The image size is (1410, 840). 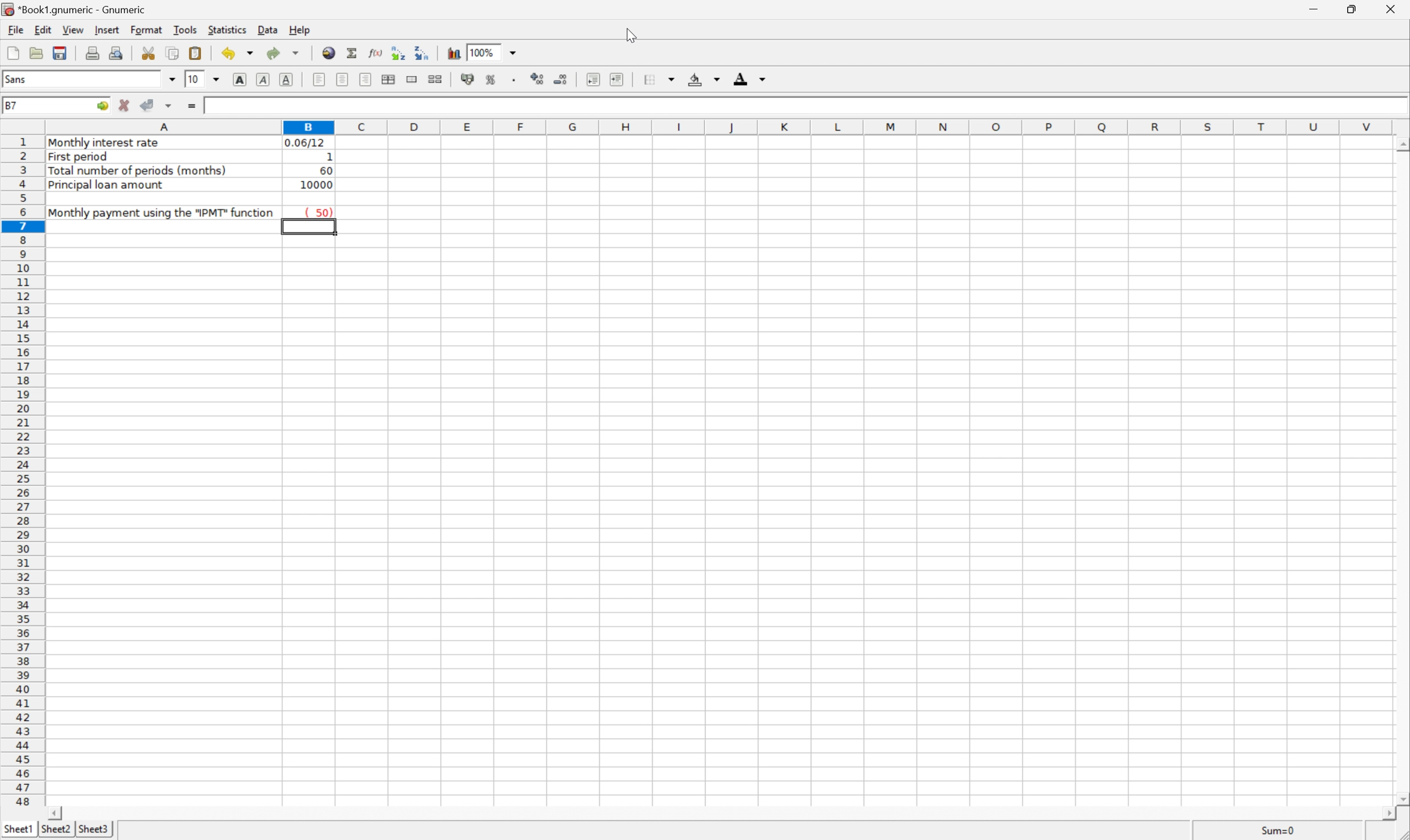 I want to click on Sum in current cell, so click(x=350, y=53).